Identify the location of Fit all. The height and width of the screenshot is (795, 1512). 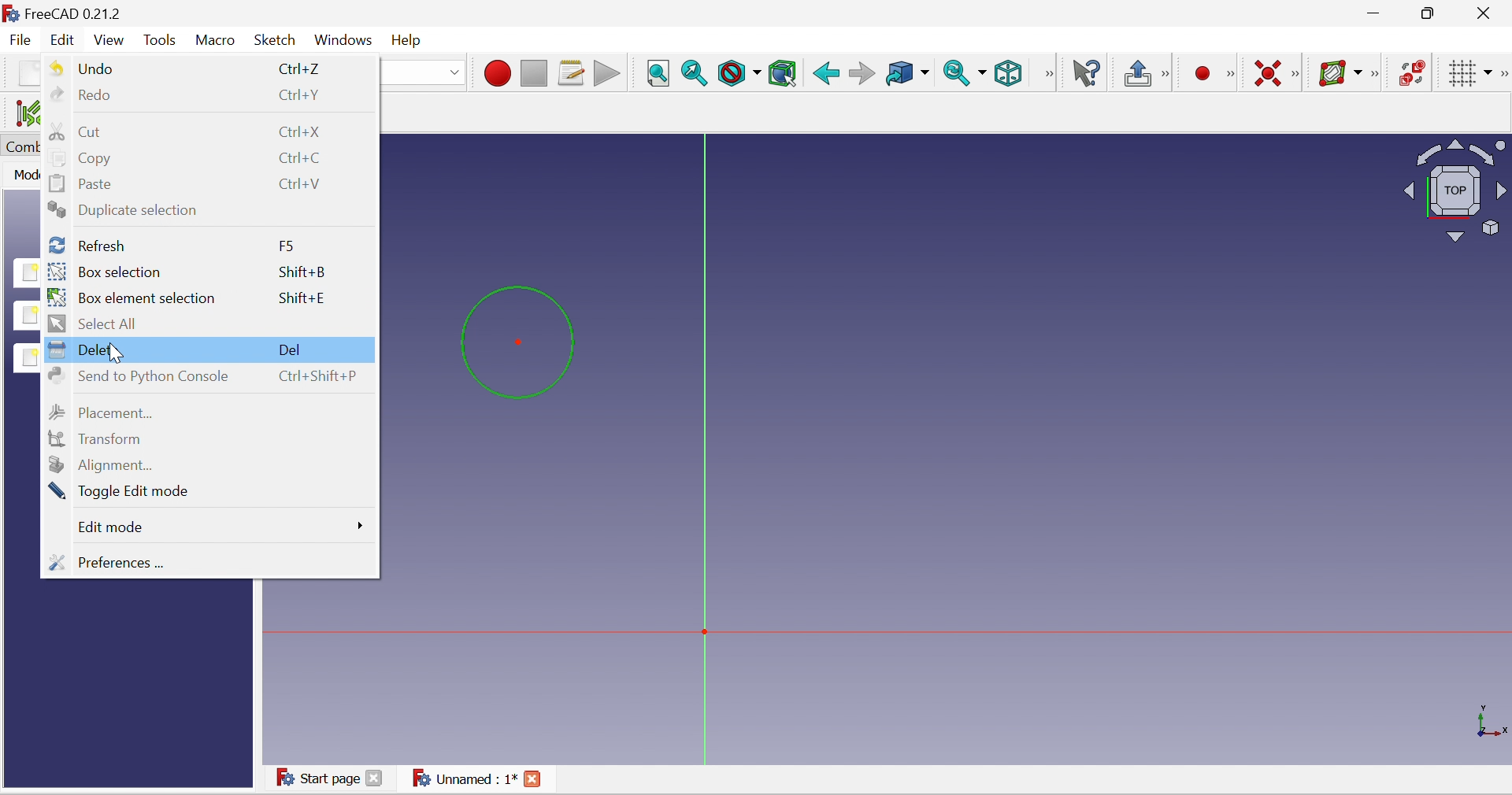
(657, 73).